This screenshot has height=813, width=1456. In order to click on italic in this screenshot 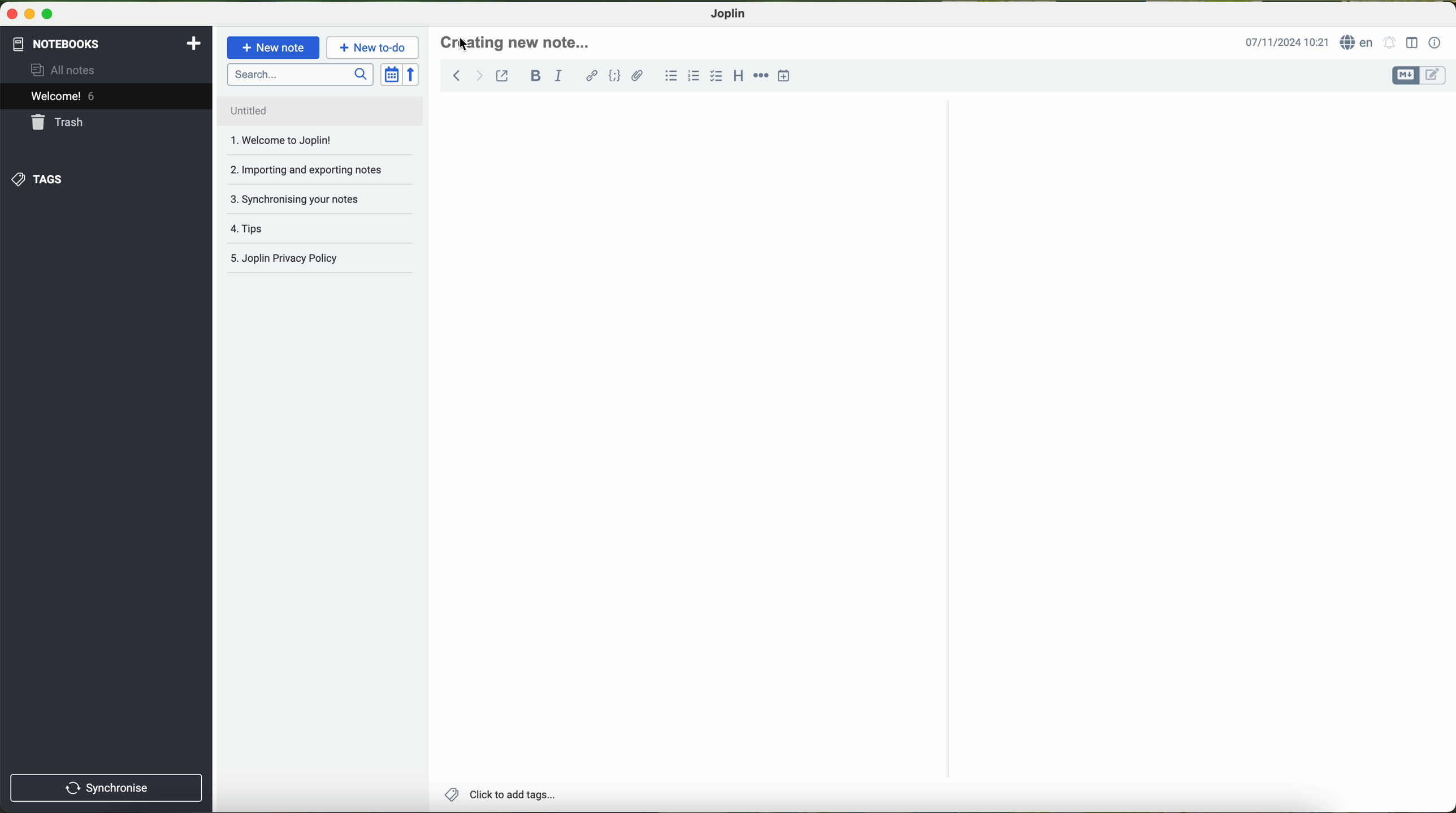, I will do `click(558, 75)`.